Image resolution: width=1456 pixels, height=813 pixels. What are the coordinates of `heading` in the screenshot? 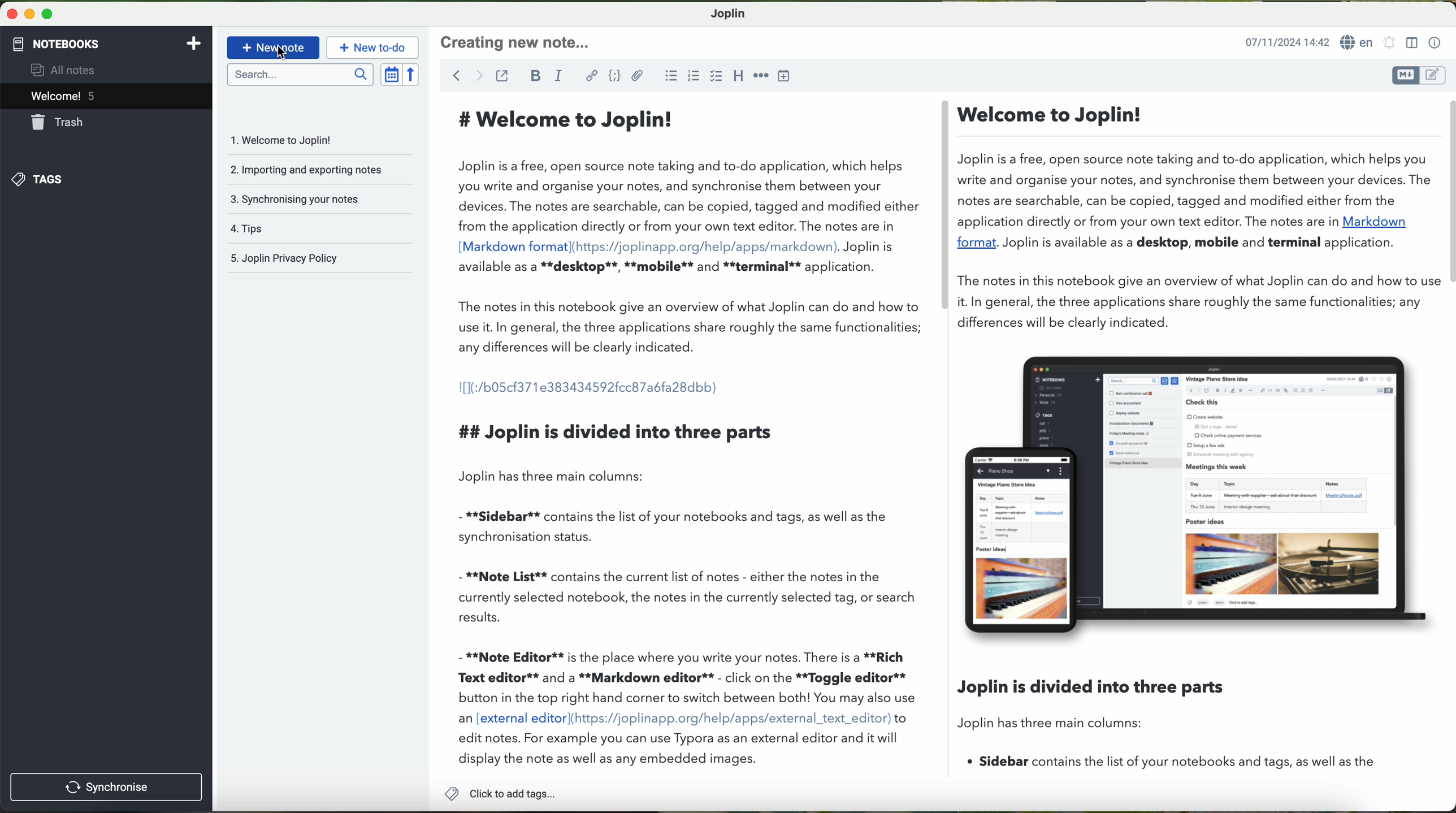 It's located at (521, 41).